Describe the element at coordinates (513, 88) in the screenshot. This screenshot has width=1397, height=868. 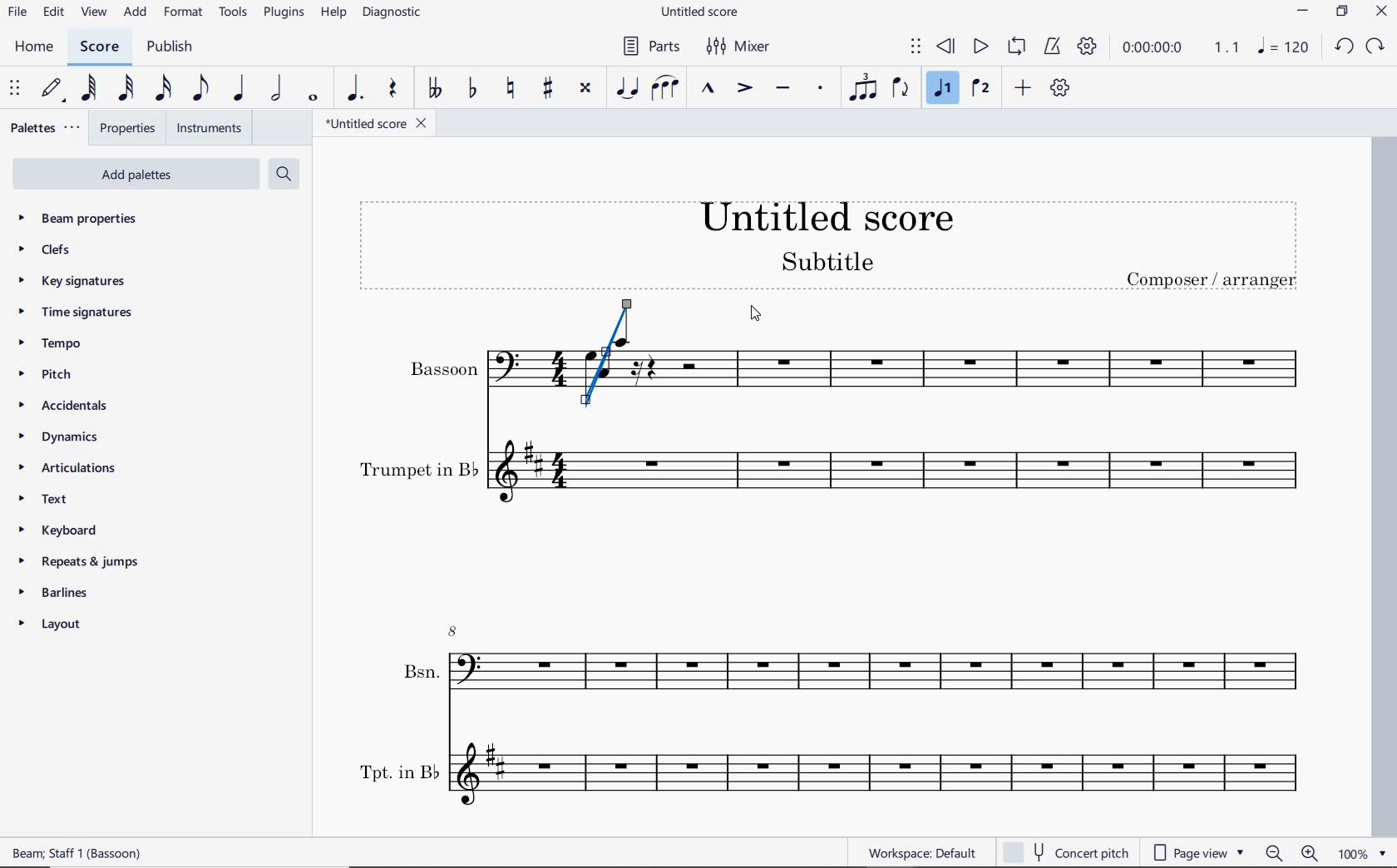
I see `toggle natural` at that location.